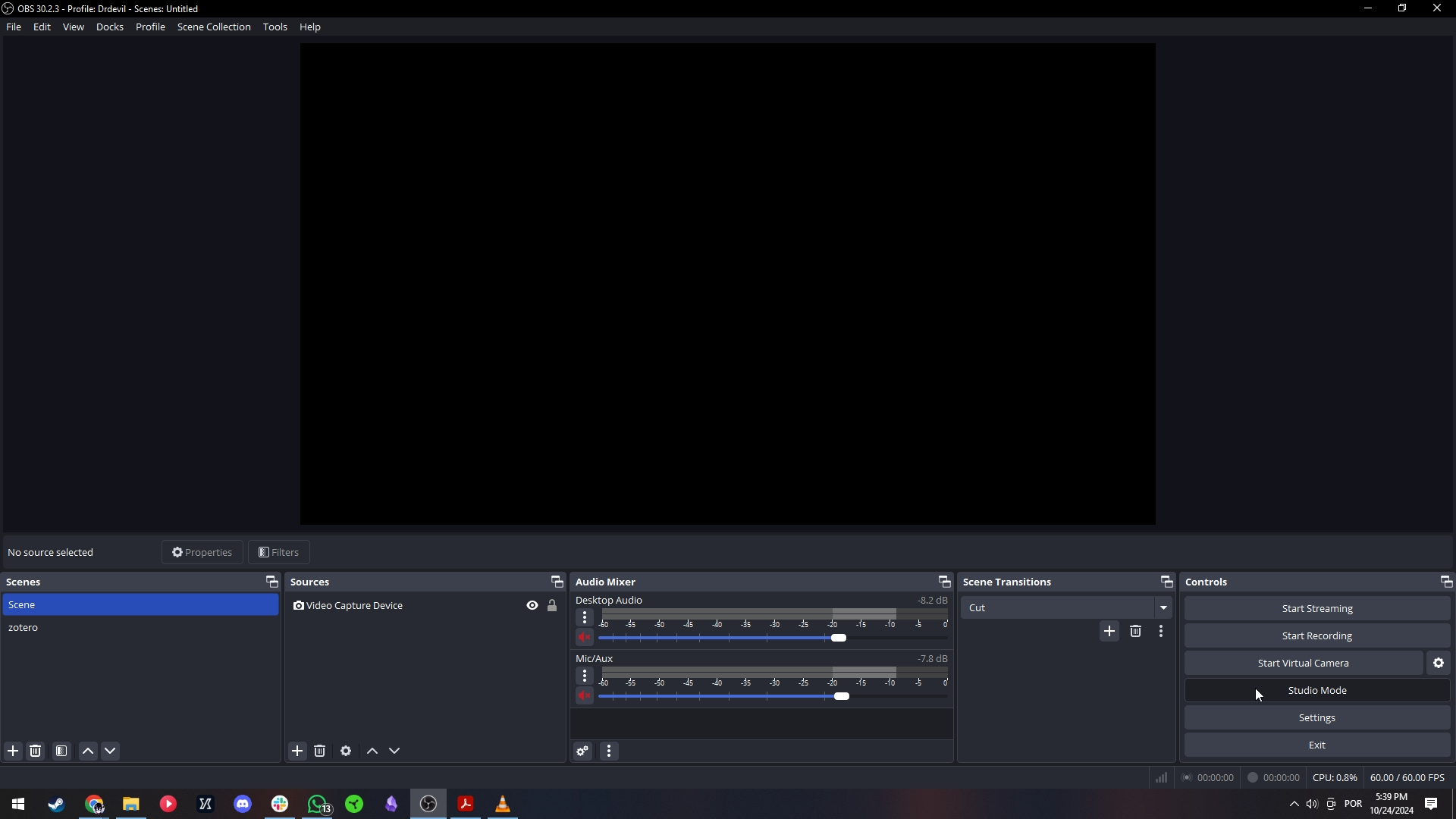 Image resolution: width=1456 pixels, height=819 pixels. I want to click on zotero, so click(142, 626).